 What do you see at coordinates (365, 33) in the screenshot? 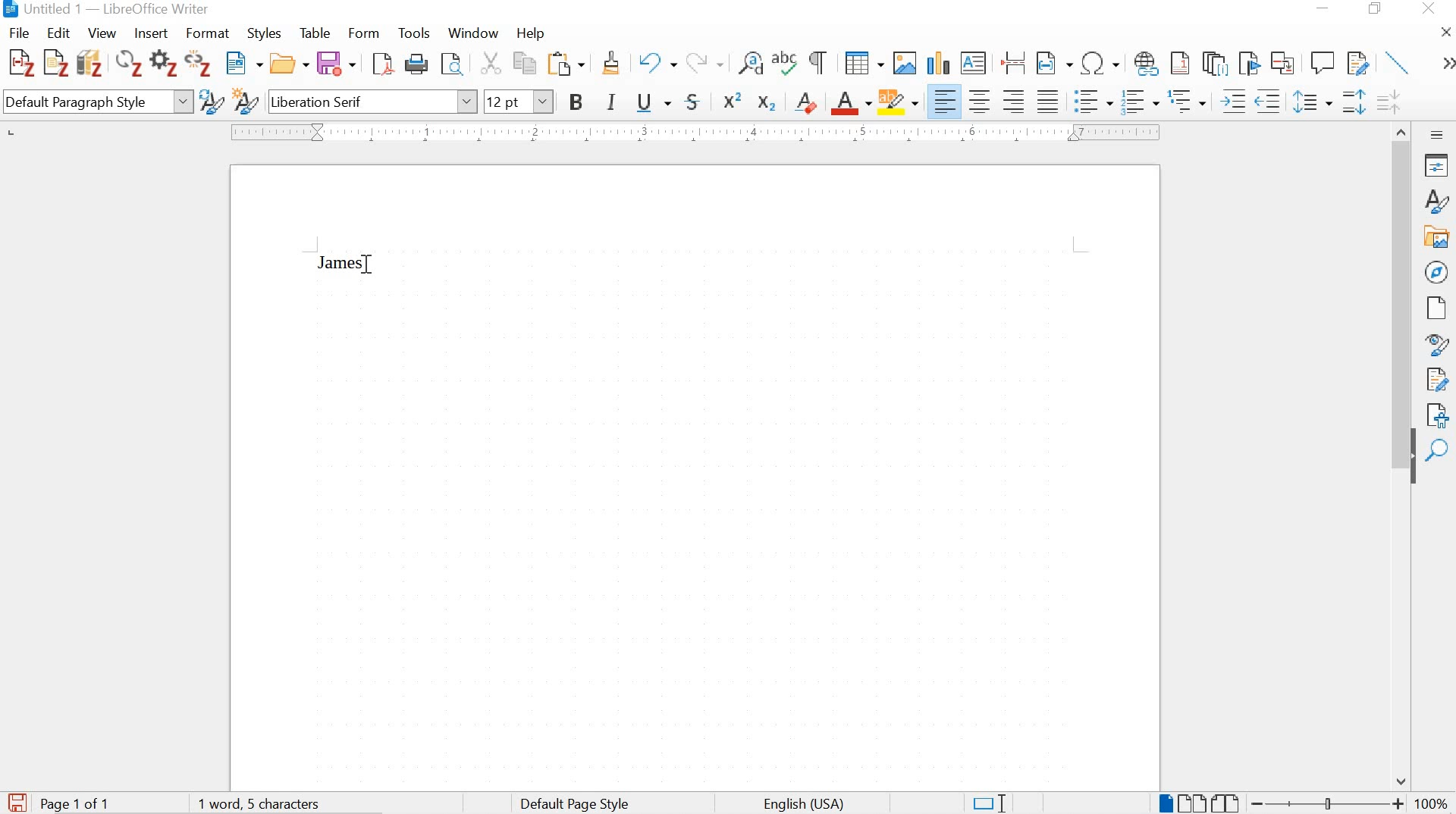
I see `form` at bounding box center [365, 33].